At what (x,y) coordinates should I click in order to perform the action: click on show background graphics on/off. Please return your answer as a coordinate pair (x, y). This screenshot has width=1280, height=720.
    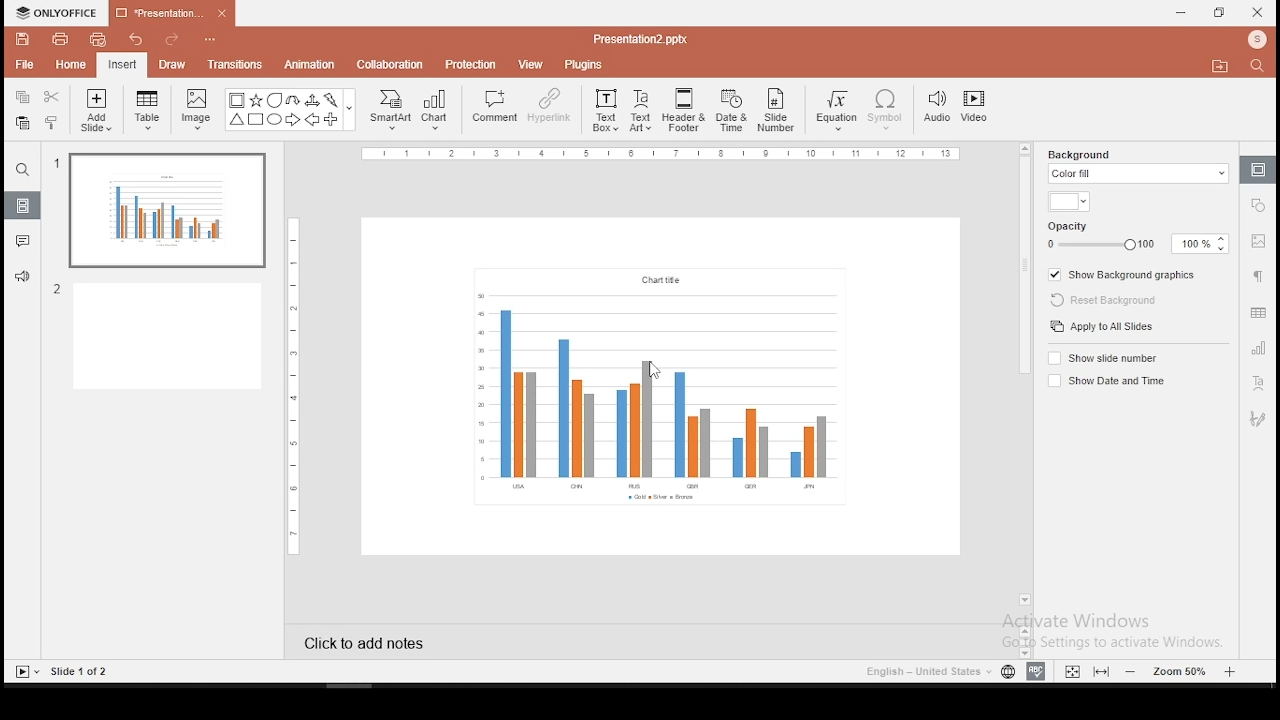
    Looking at the image, I should click on (1122, 275).